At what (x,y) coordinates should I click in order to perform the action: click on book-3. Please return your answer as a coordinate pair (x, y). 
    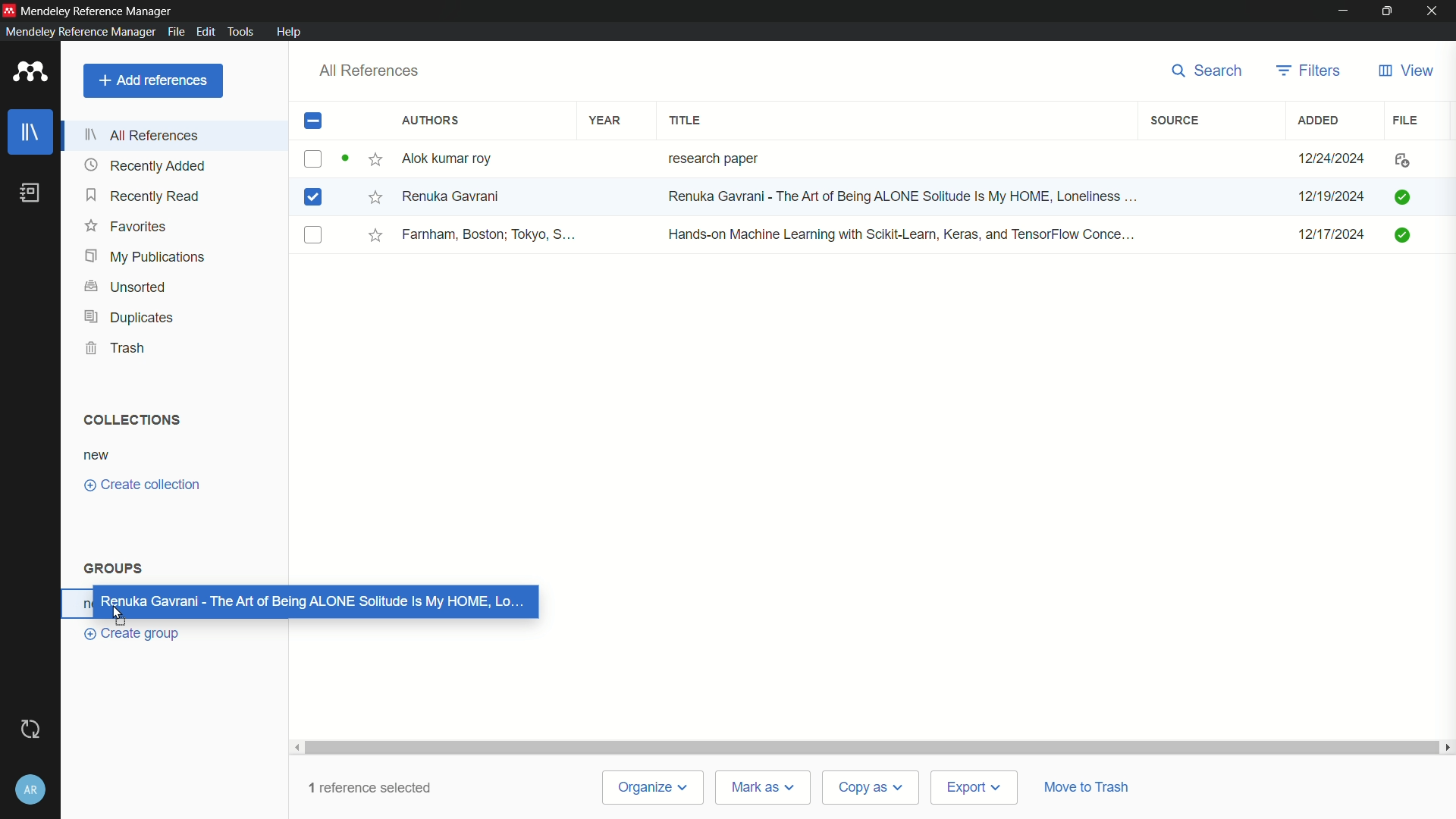
    Looking at the image, I should click on (314, 236).